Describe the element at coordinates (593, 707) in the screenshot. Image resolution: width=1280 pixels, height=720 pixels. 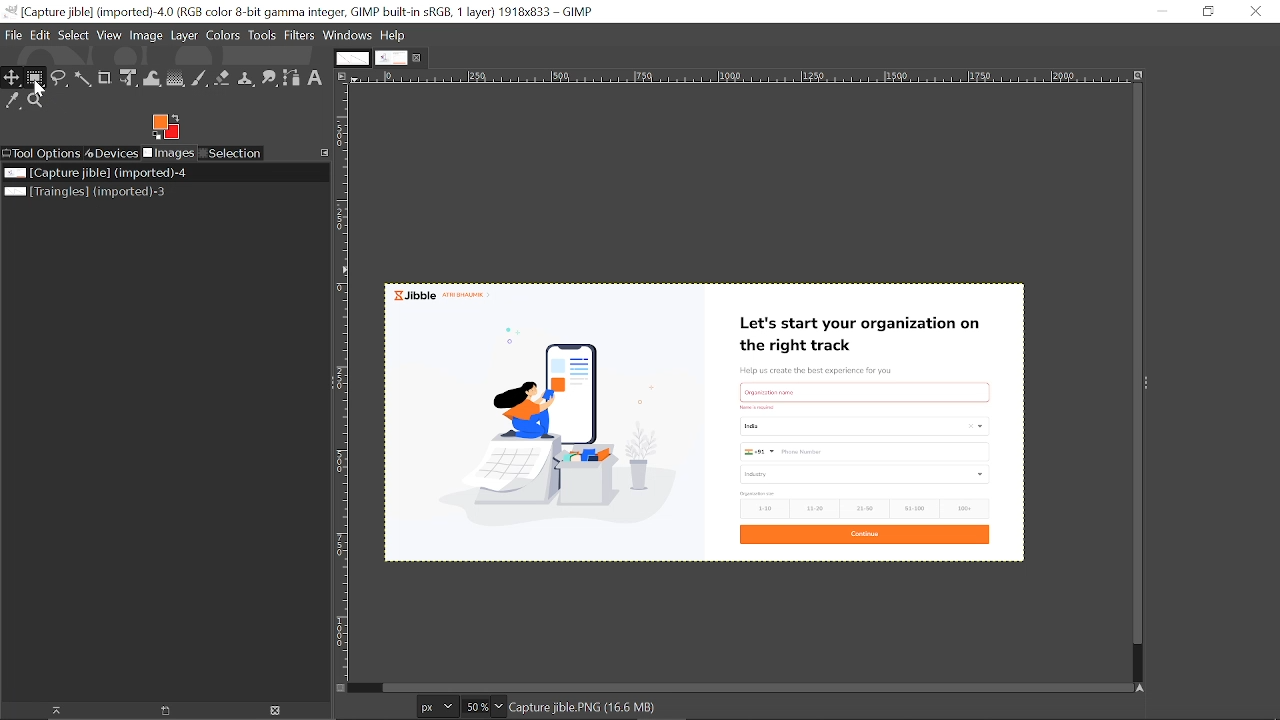
I see `Current image format and size` at that location.